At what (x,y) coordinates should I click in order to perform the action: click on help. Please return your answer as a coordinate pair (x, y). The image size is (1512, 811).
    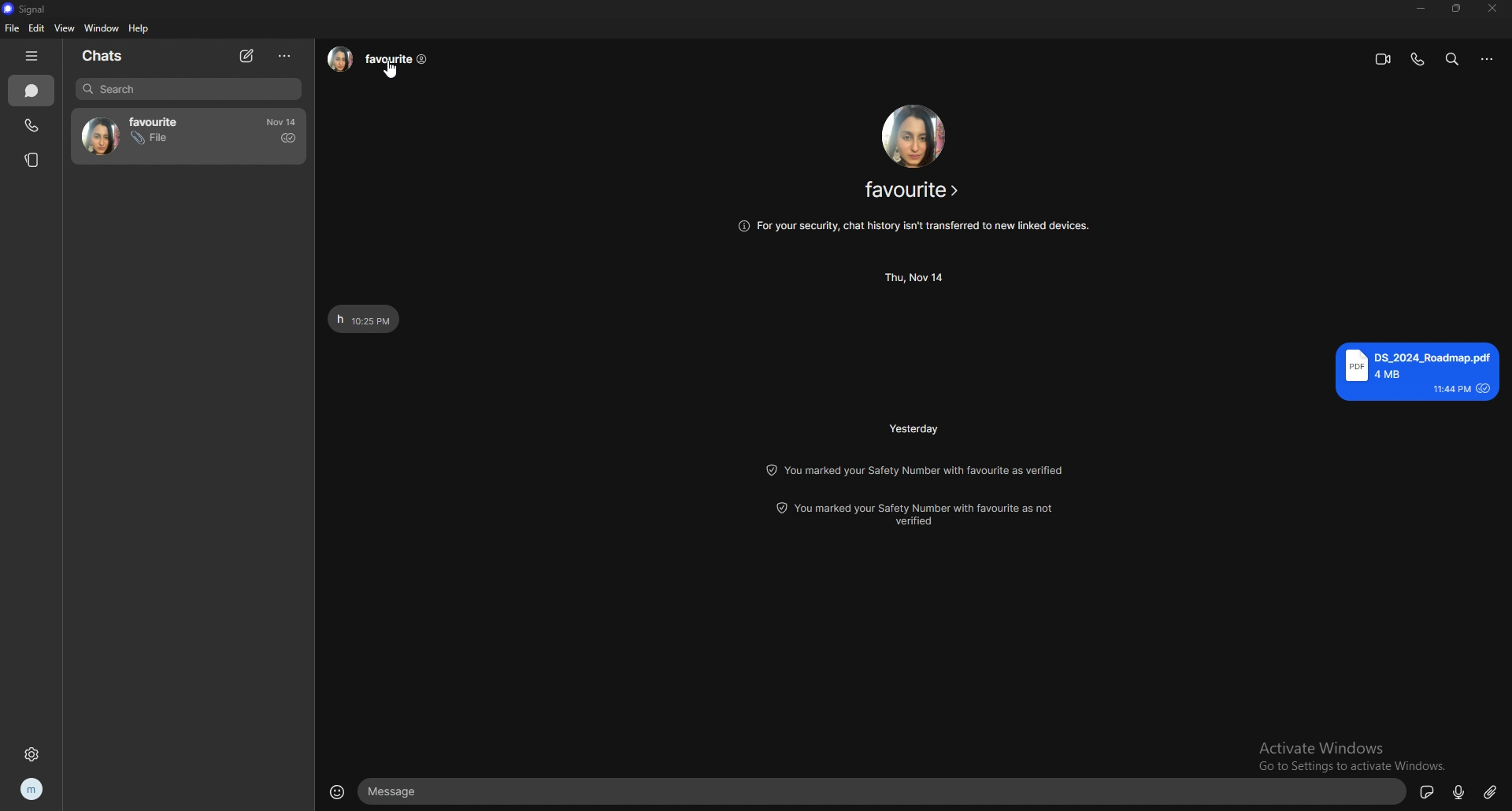
    Looking at the image, I should click on (140, 29).